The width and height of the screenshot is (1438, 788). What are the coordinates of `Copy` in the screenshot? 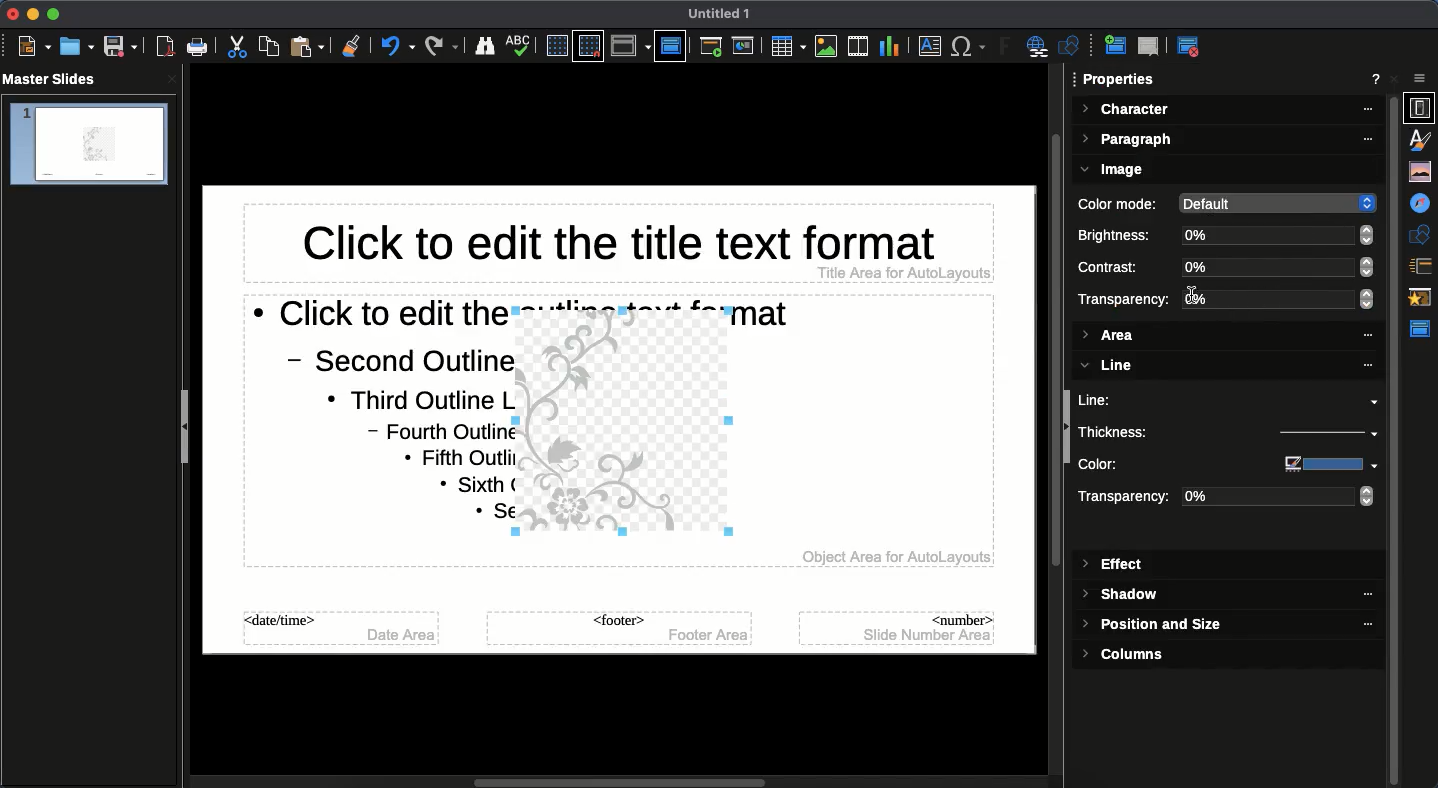 It's located at (269, 46).